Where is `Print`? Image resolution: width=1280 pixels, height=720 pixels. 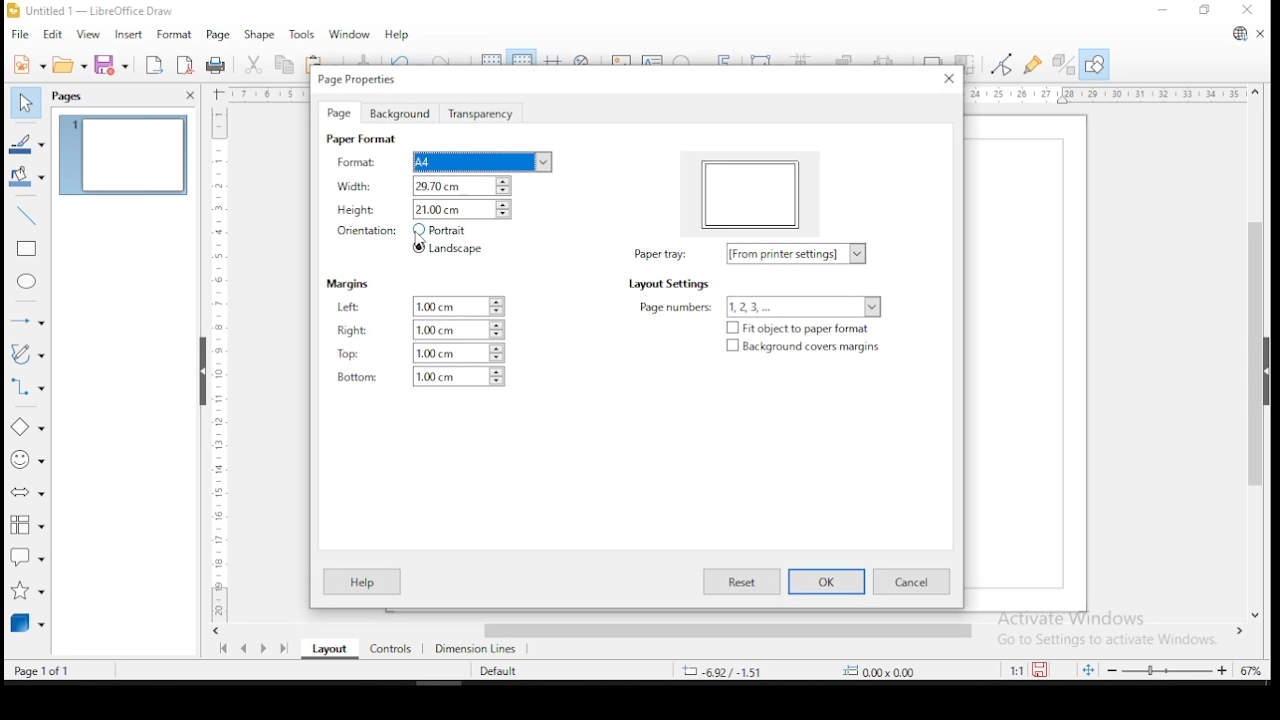 Print is located at coordinates (216, 64).